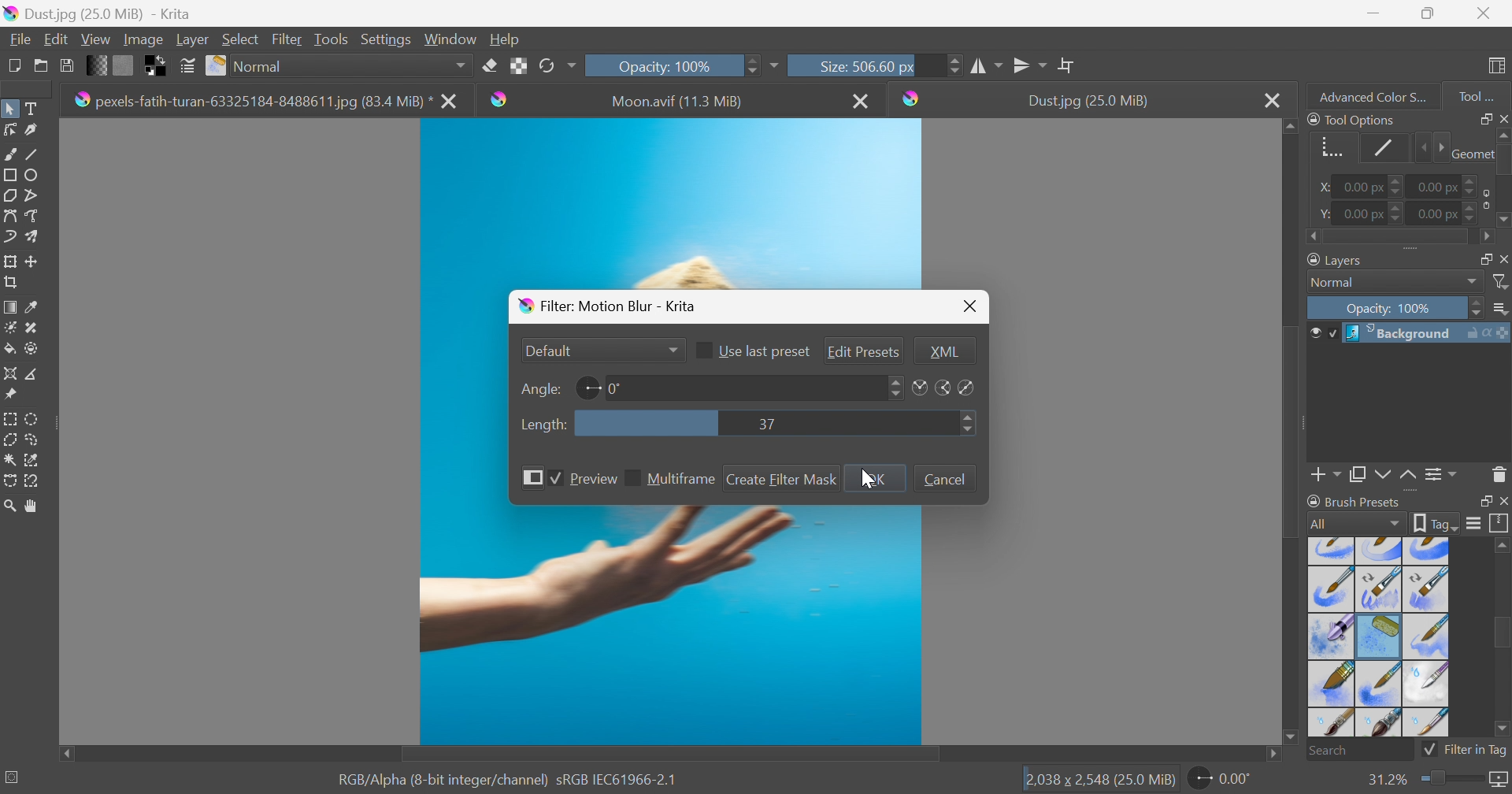  What do you see at coordinates (1502, 310) in the screenshot?
I see `Drop Down` at bounding box center [1502, 310].